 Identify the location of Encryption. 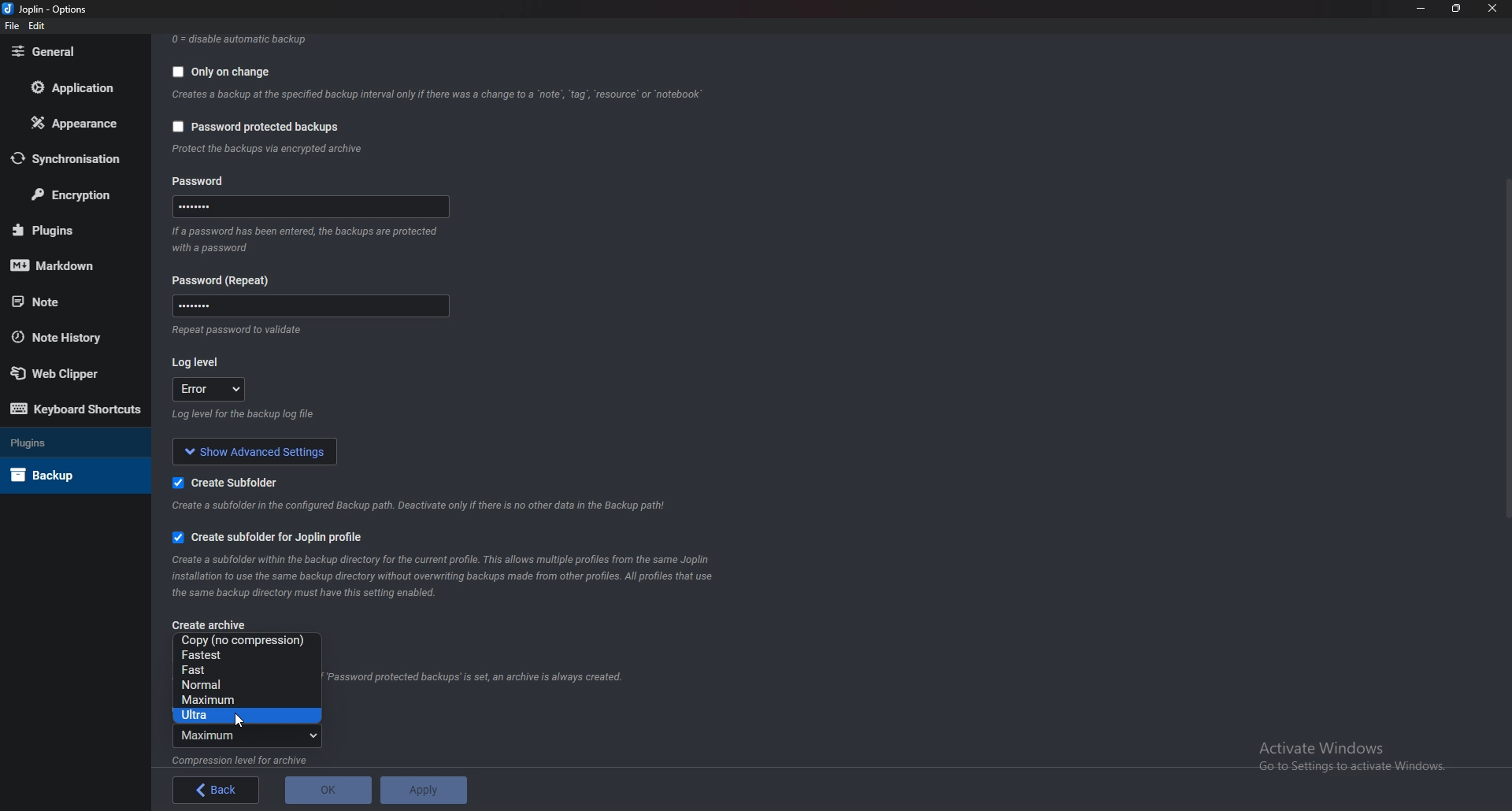
(73, 194).